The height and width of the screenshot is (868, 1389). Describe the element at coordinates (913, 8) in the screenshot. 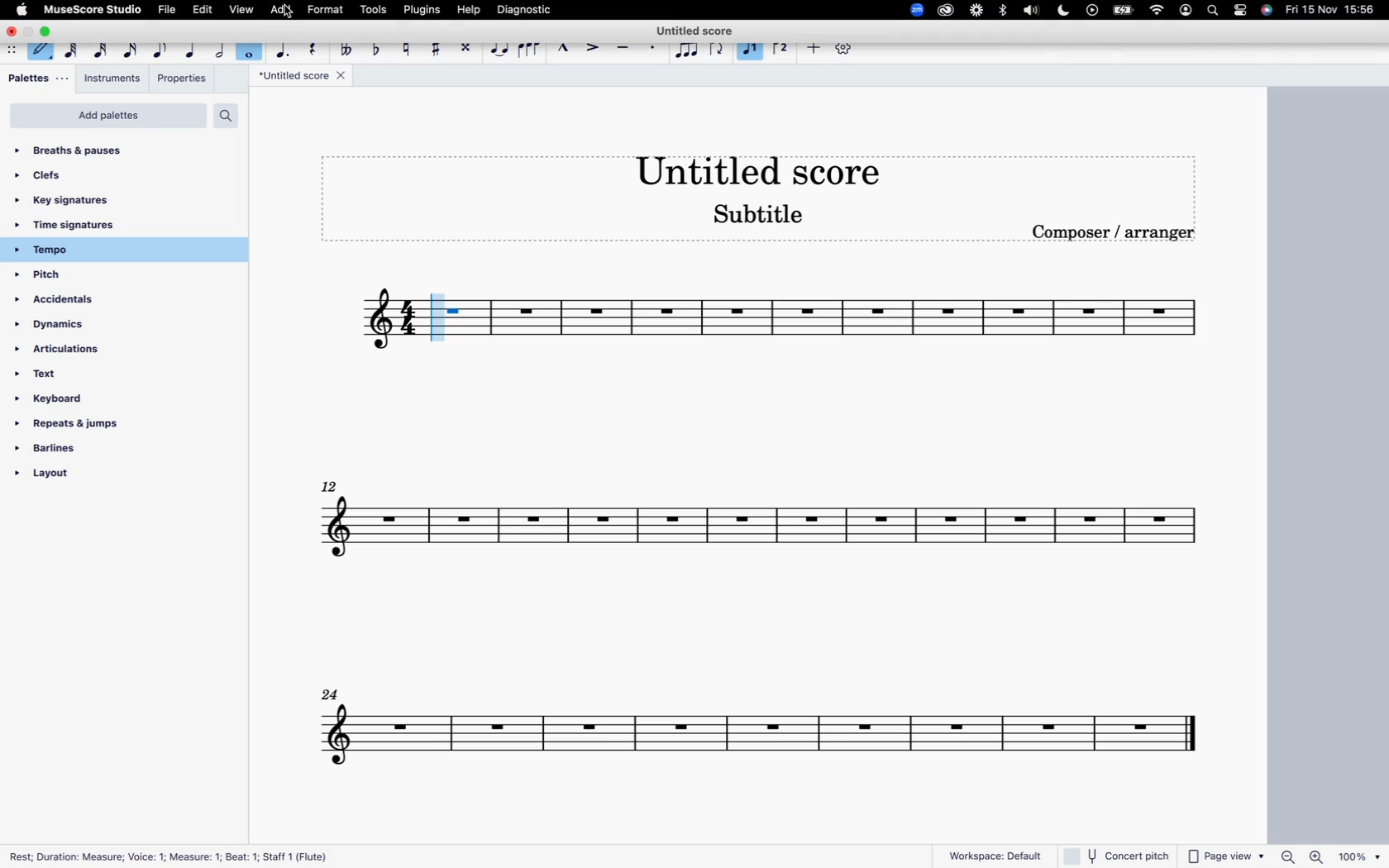

I see `zoom` at that location.